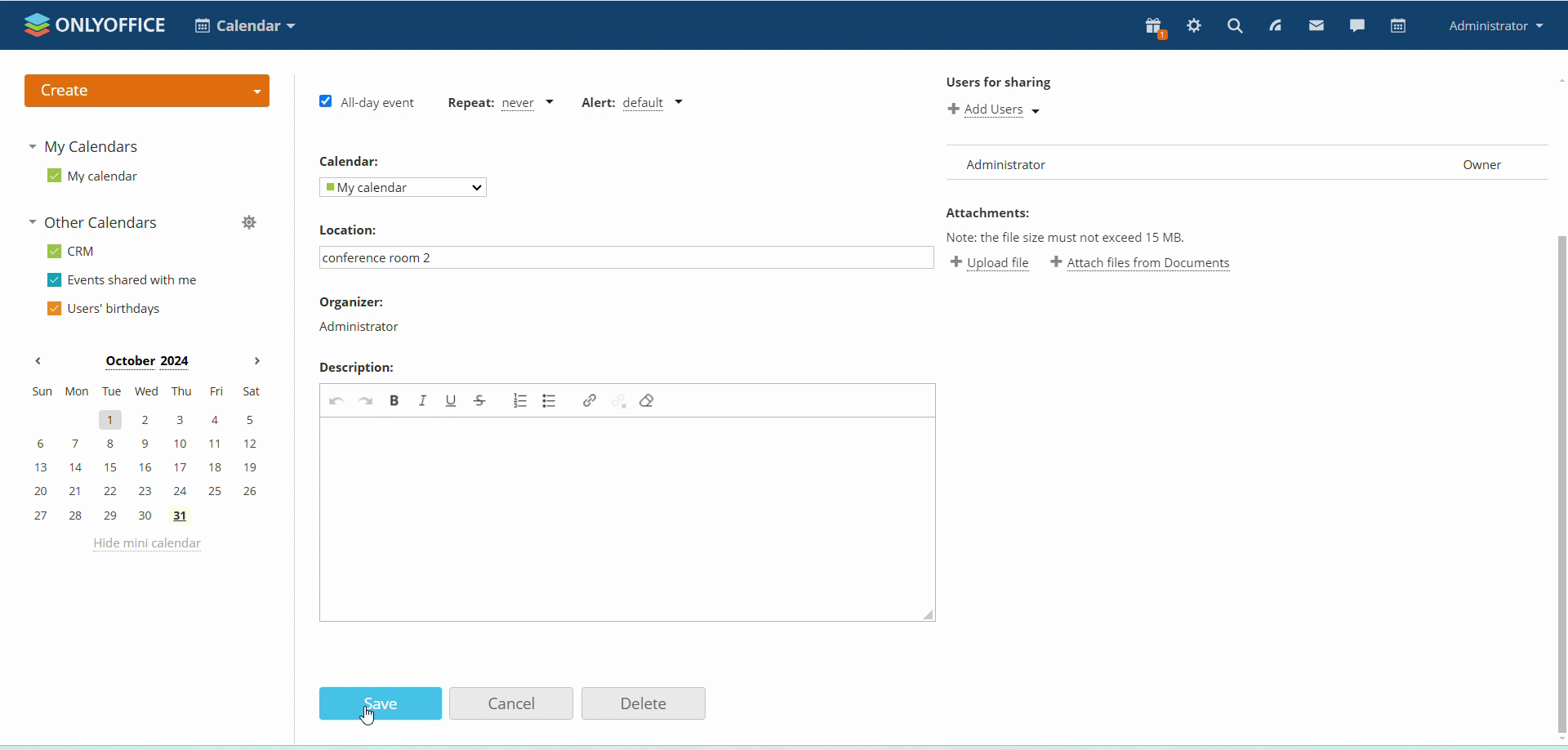 The height and width of the screenshot is (750, 1568). What do you see at coordinates (499, 104) in the screenshot?
I see `event repetition` at bounding box center [499, 104].